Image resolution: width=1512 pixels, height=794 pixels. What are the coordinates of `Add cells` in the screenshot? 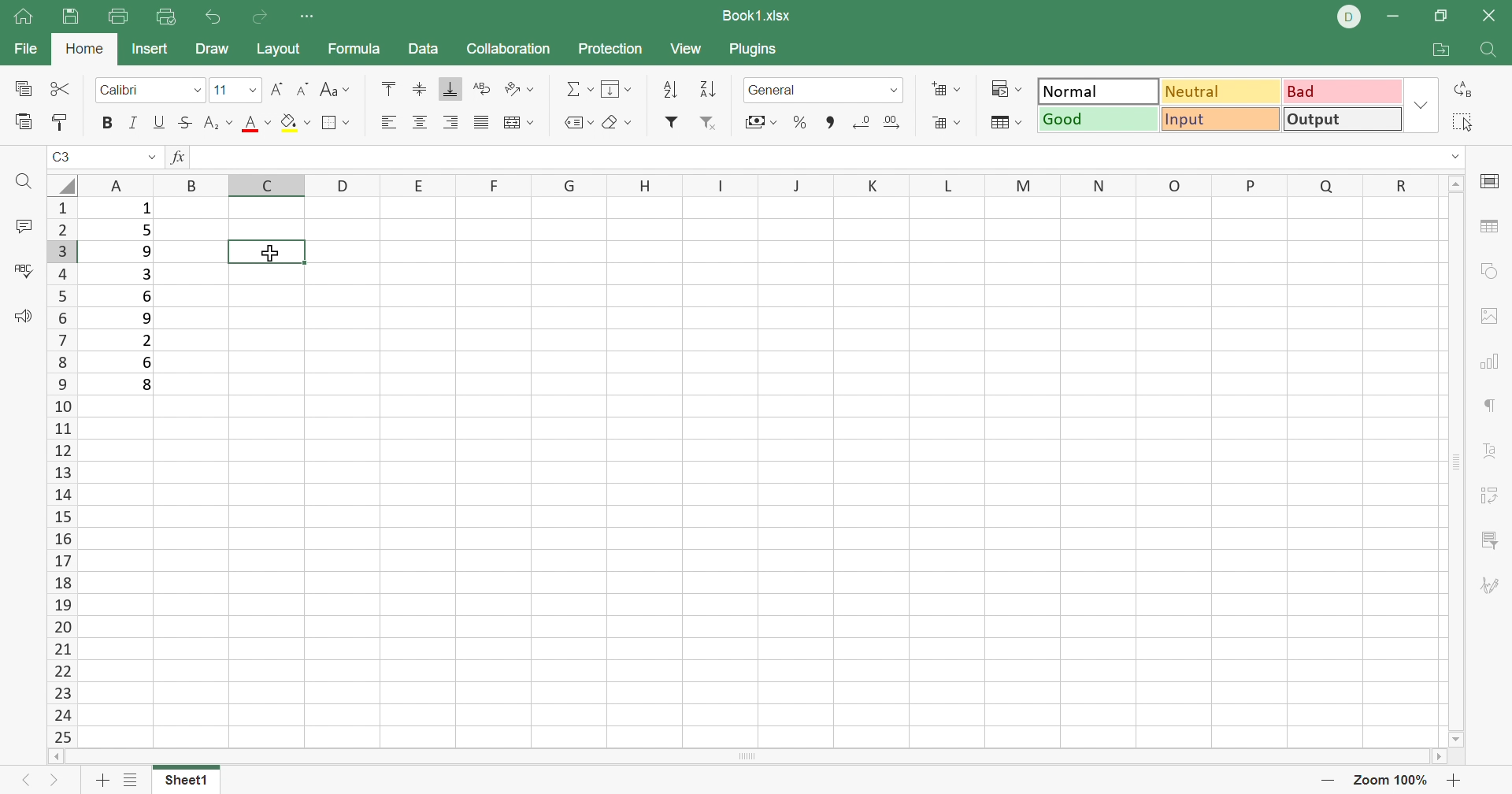 It's located at (943, 88).